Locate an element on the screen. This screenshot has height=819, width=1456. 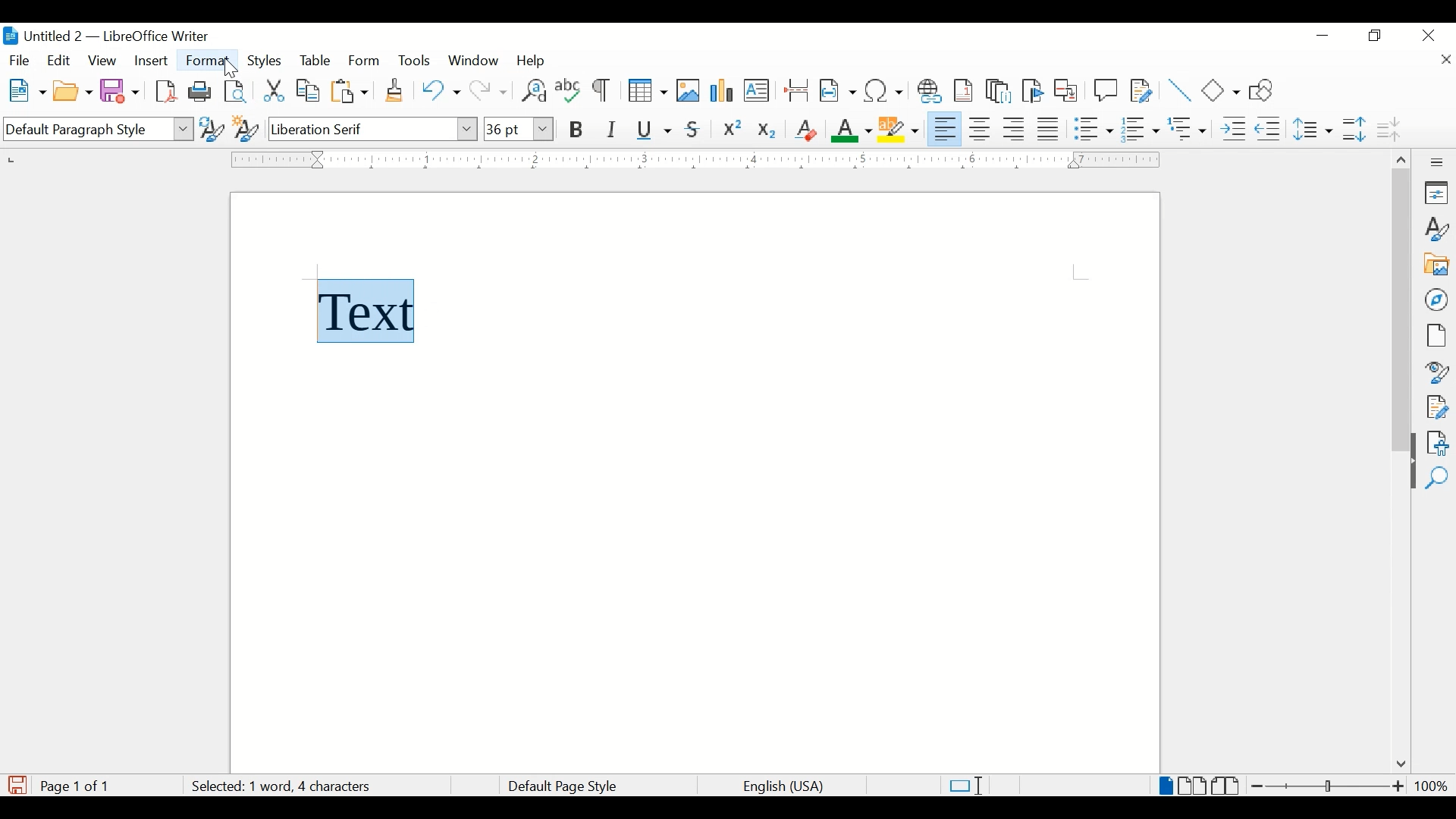
redo is located at coordinates (489, 91).